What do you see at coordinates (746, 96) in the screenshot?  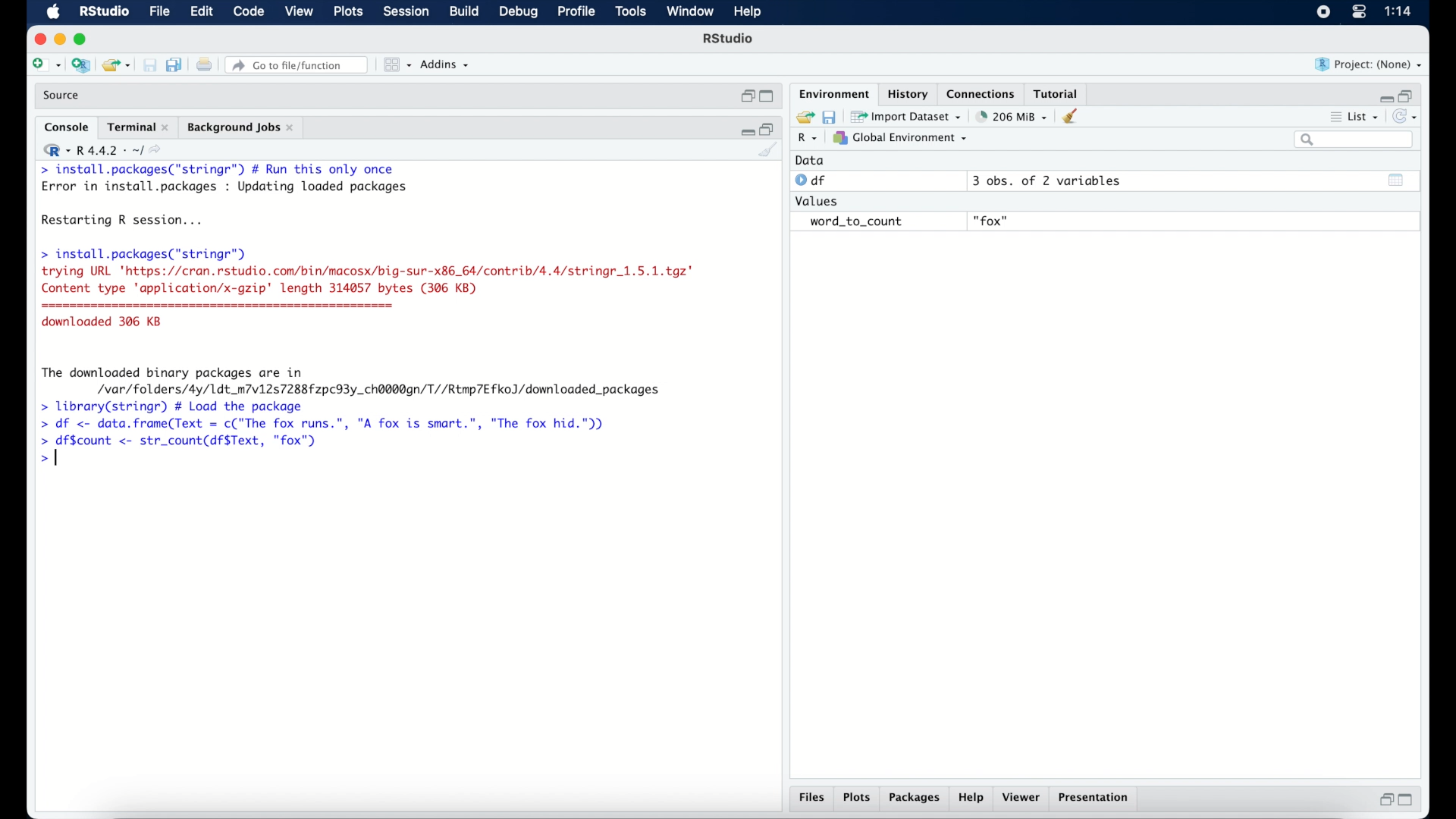 I see `restore down` at bounding box center [746, 96].